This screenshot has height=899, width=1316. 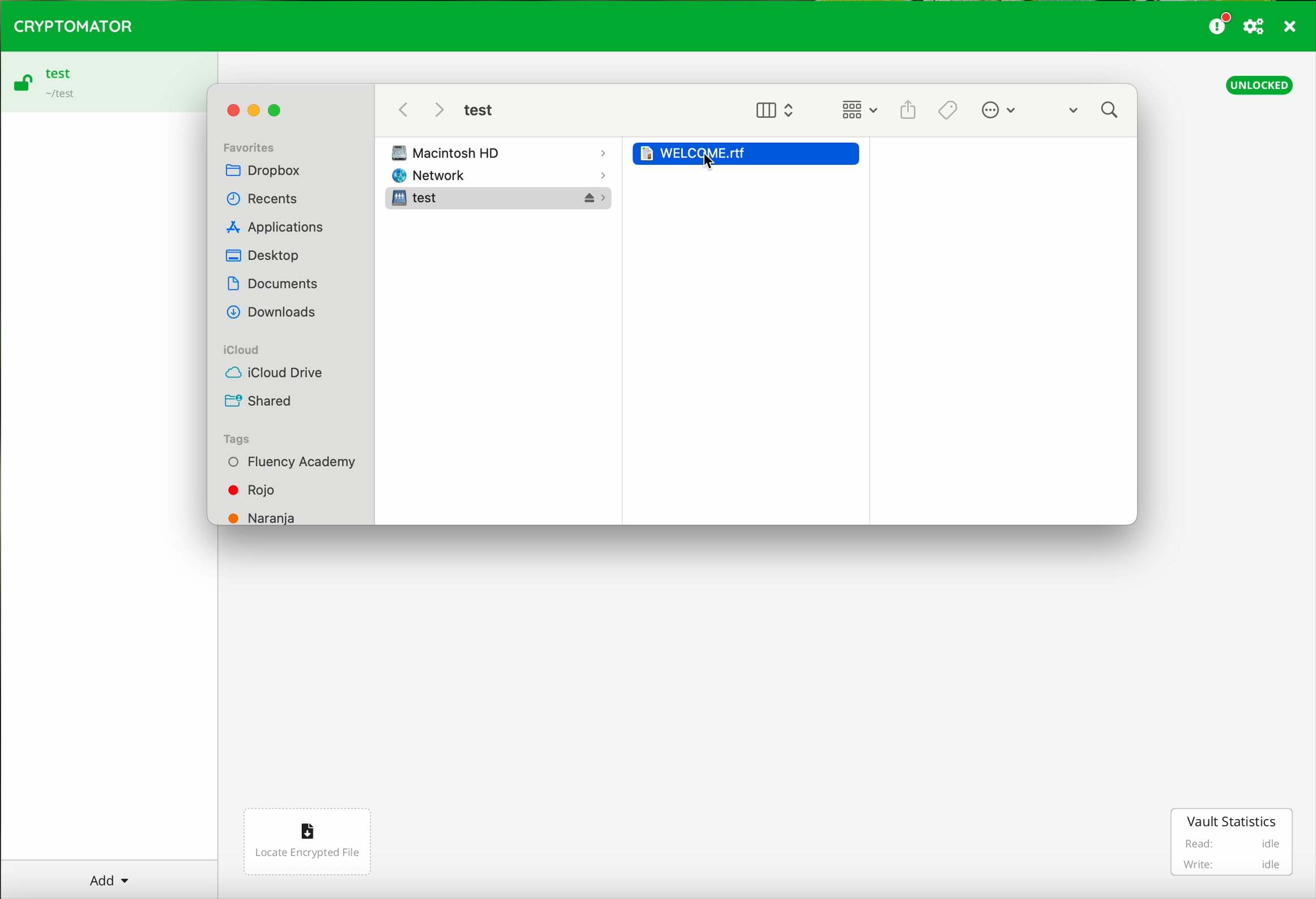 I want to click on More Options, so click(x=1007, y=109).